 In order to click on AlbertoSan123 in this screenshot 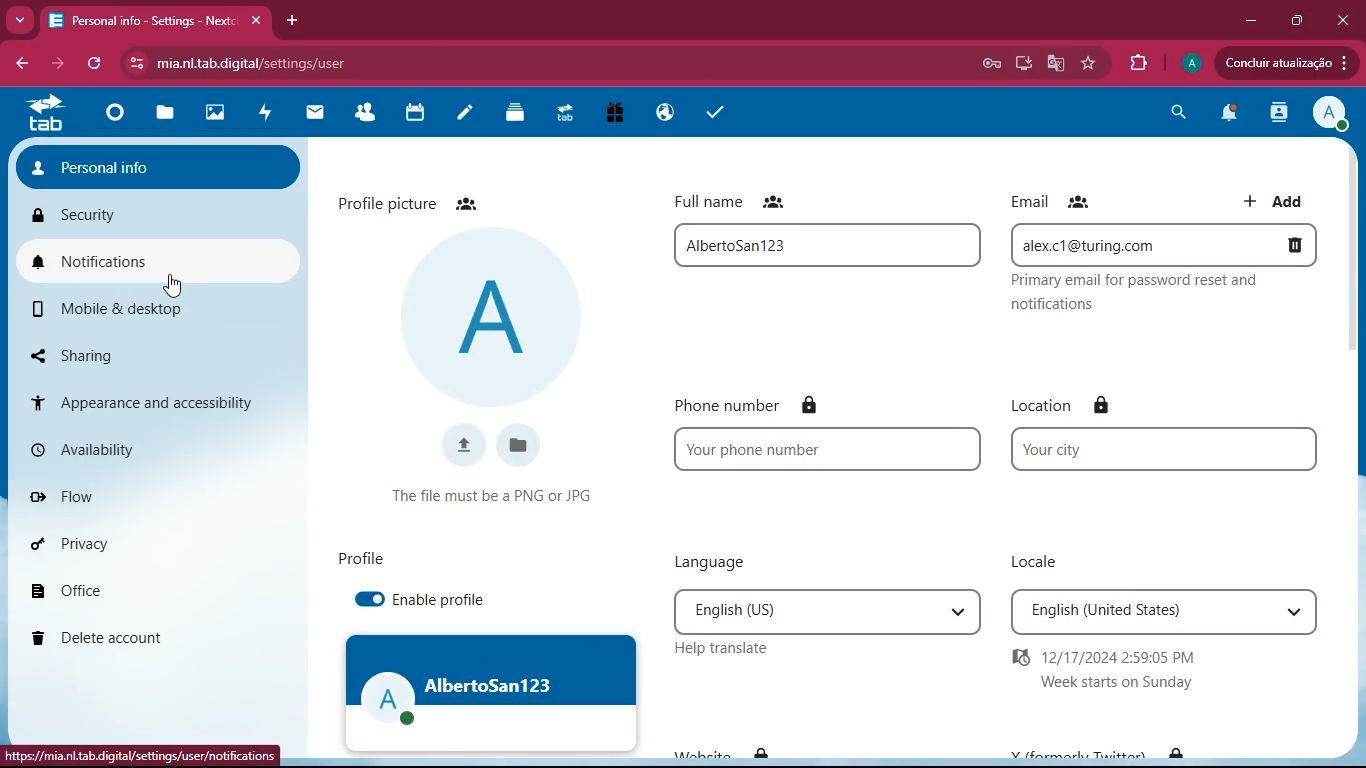, I will do `click(490, 692)`.